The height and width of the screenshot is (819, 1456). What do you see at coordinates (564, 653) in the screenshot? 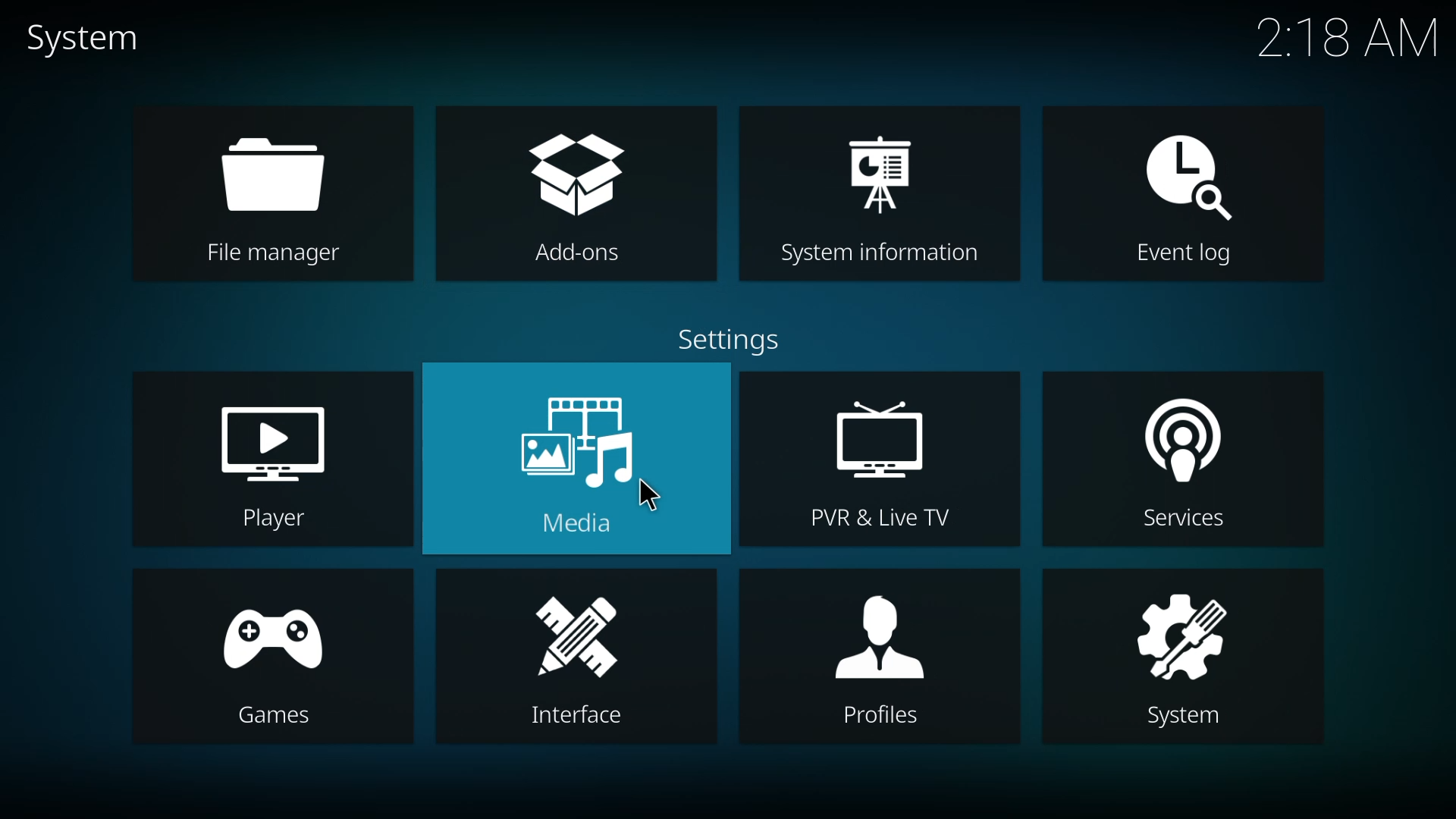
I see `interface` at bounding box center [564, 653].